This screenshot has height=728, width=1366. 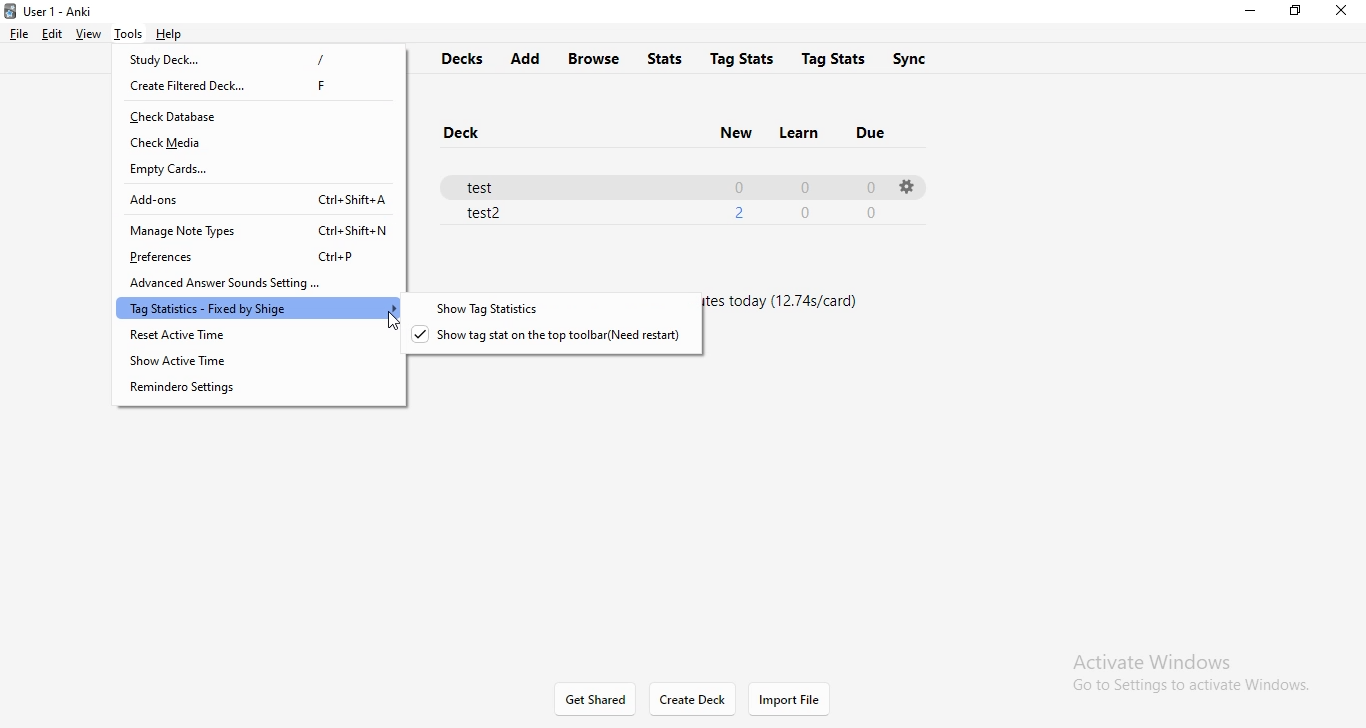 What do you see at coordinates (675, 213) in the screenshot?
I see `test2` at bounding box center [675, 213].